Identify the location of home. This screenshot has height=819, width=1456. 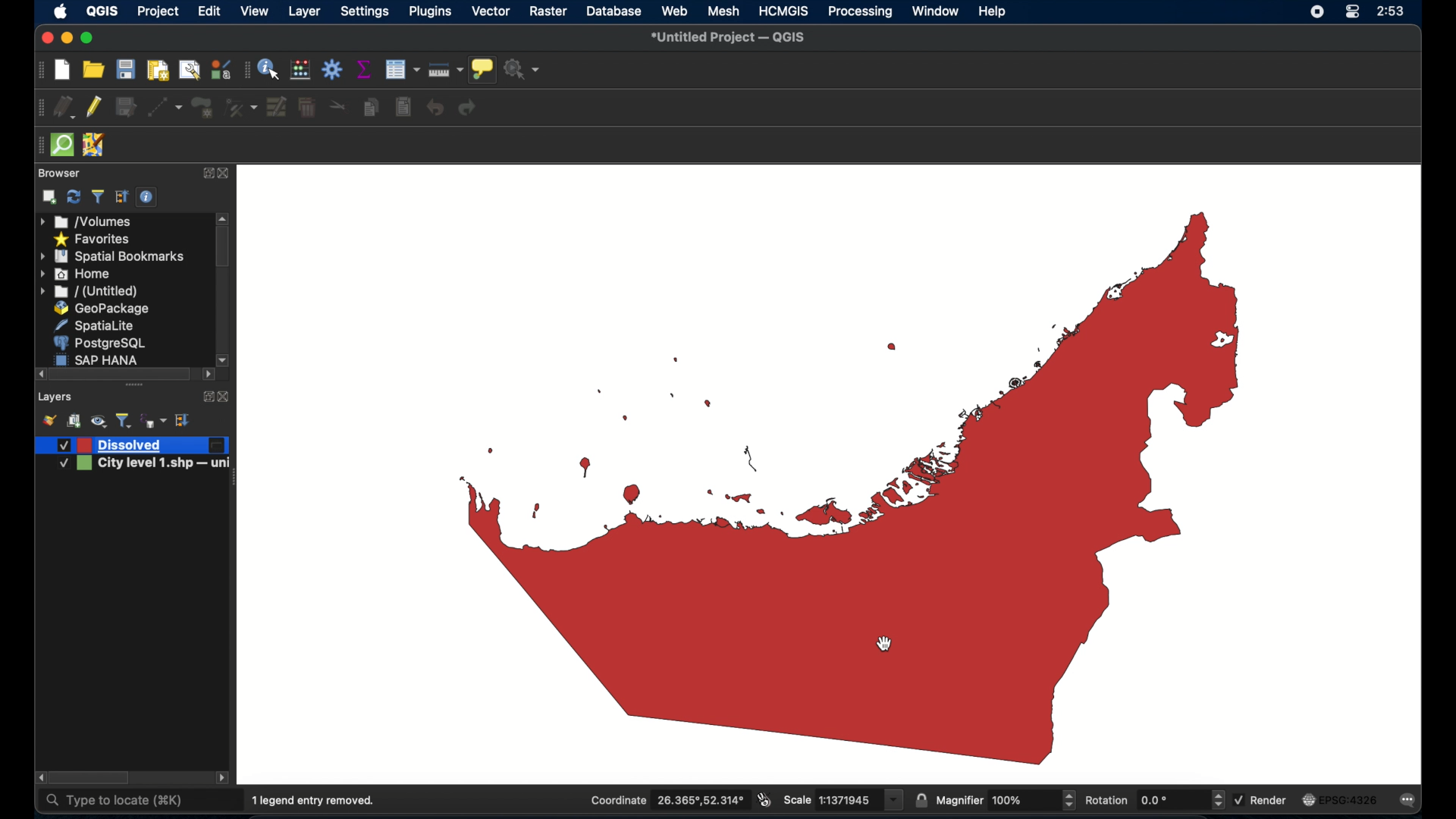
(77, 274).